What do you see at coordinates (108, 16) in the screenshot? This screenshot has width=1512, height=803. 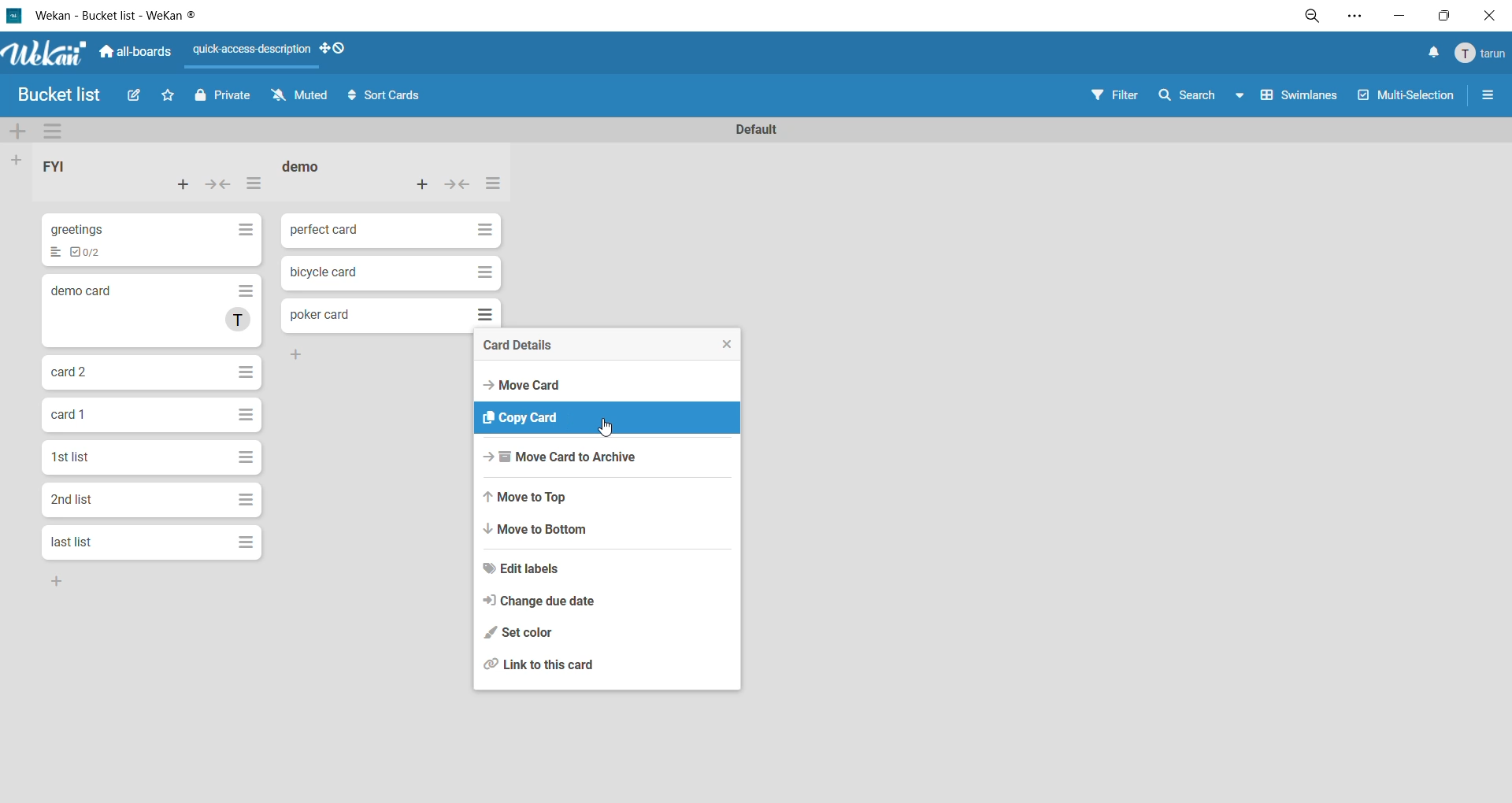 I see `Wekan - Bucket list - WeKan` at bounding box center [108, 16].